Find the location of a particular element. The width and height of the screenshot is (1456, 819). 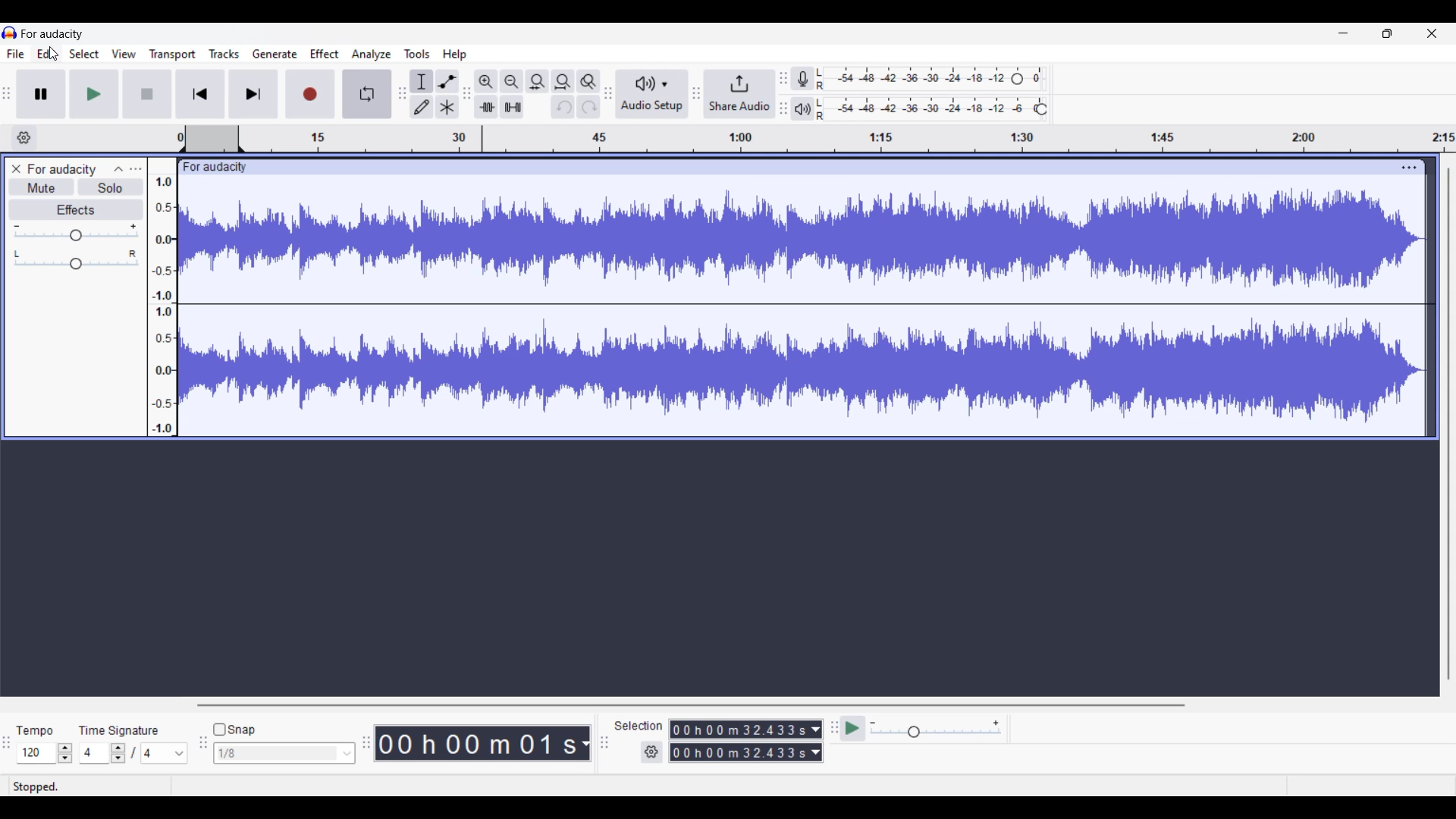

Project name is located at coordinates (52, 33).